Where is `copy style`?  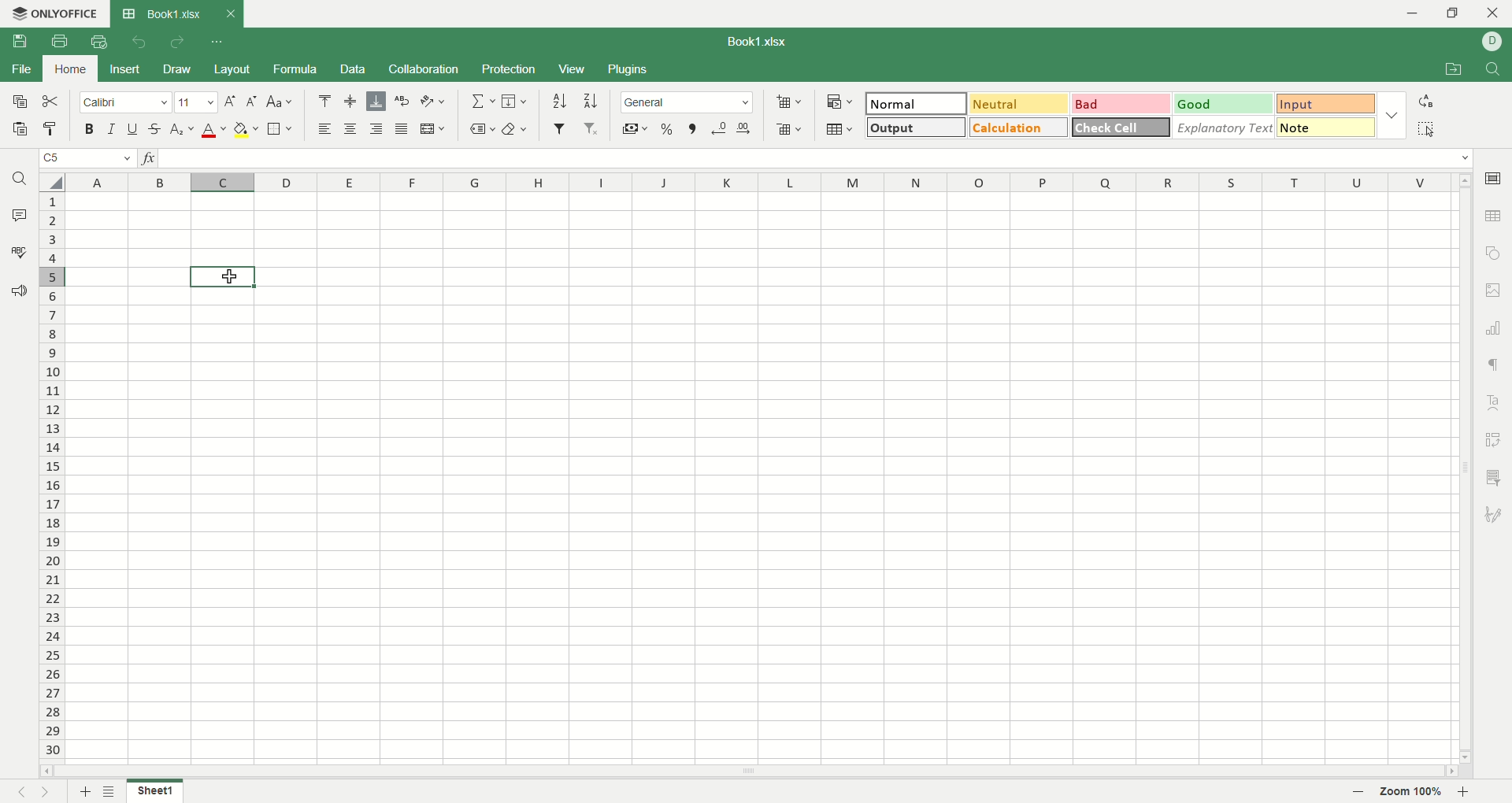
copy style is located at coordinates (51, 129).